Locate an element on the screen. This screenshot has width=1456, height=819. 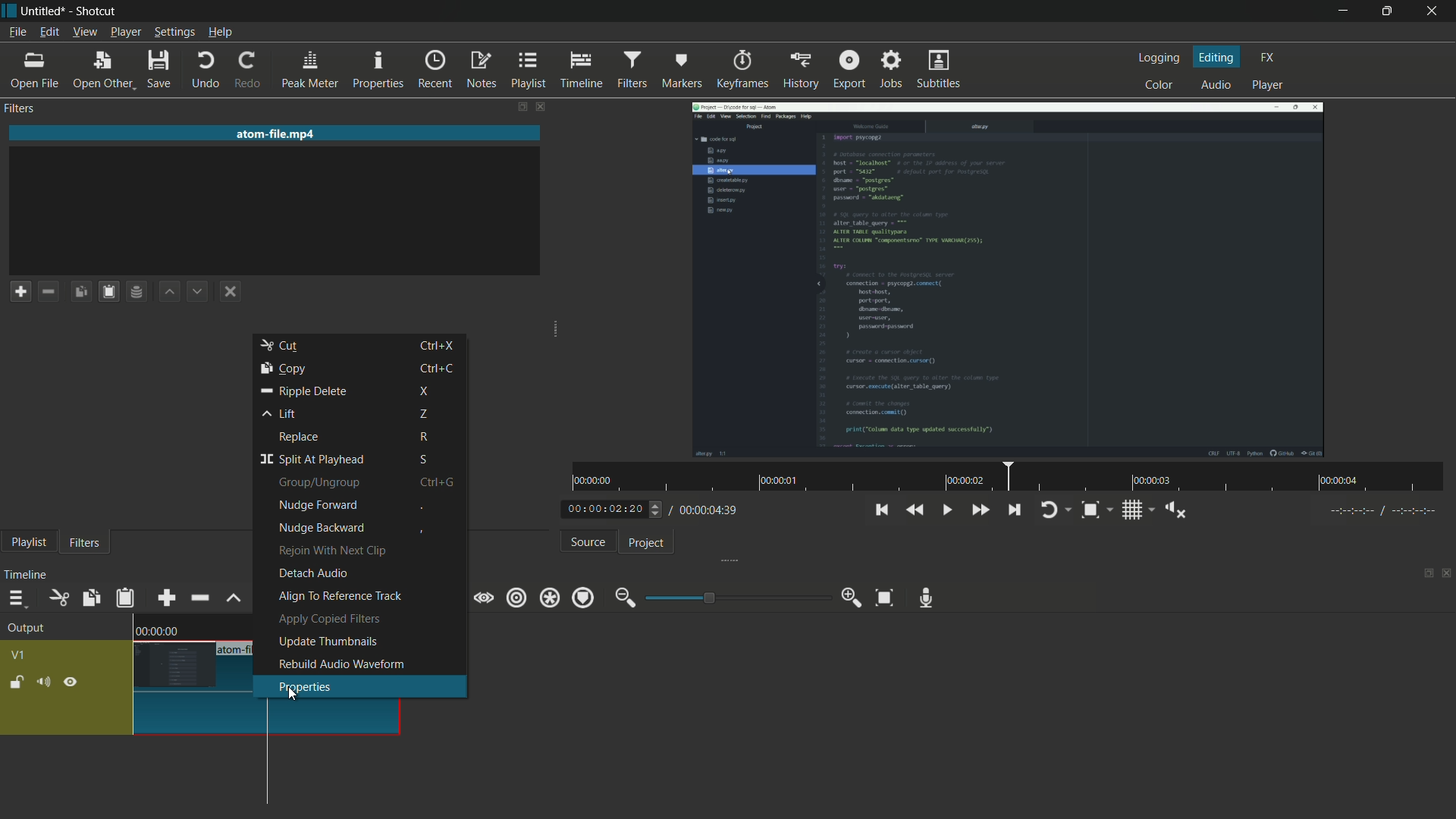
ripple is located at coordinates (516, 598).